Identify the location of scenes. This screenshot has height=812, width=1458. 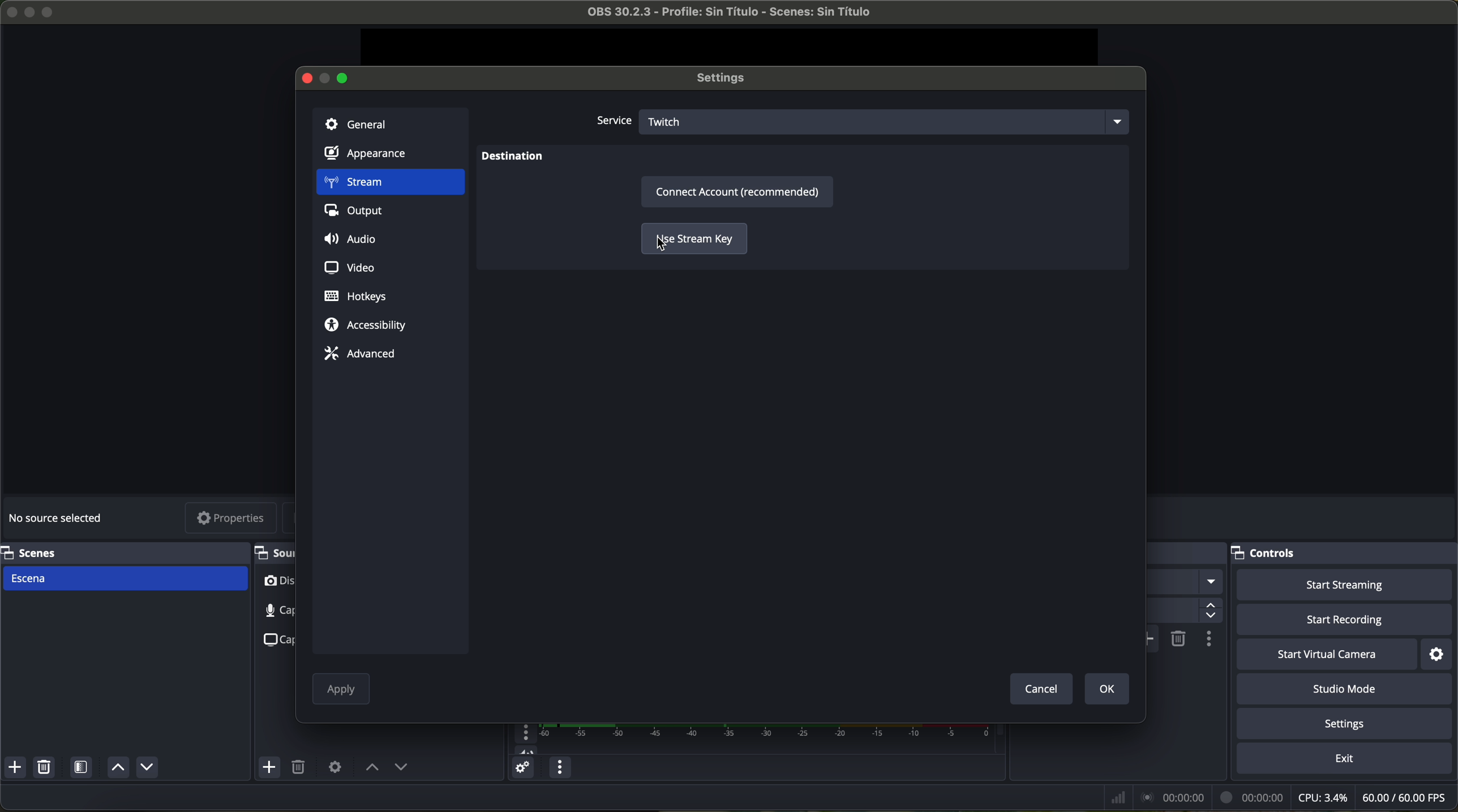
(121, 552).